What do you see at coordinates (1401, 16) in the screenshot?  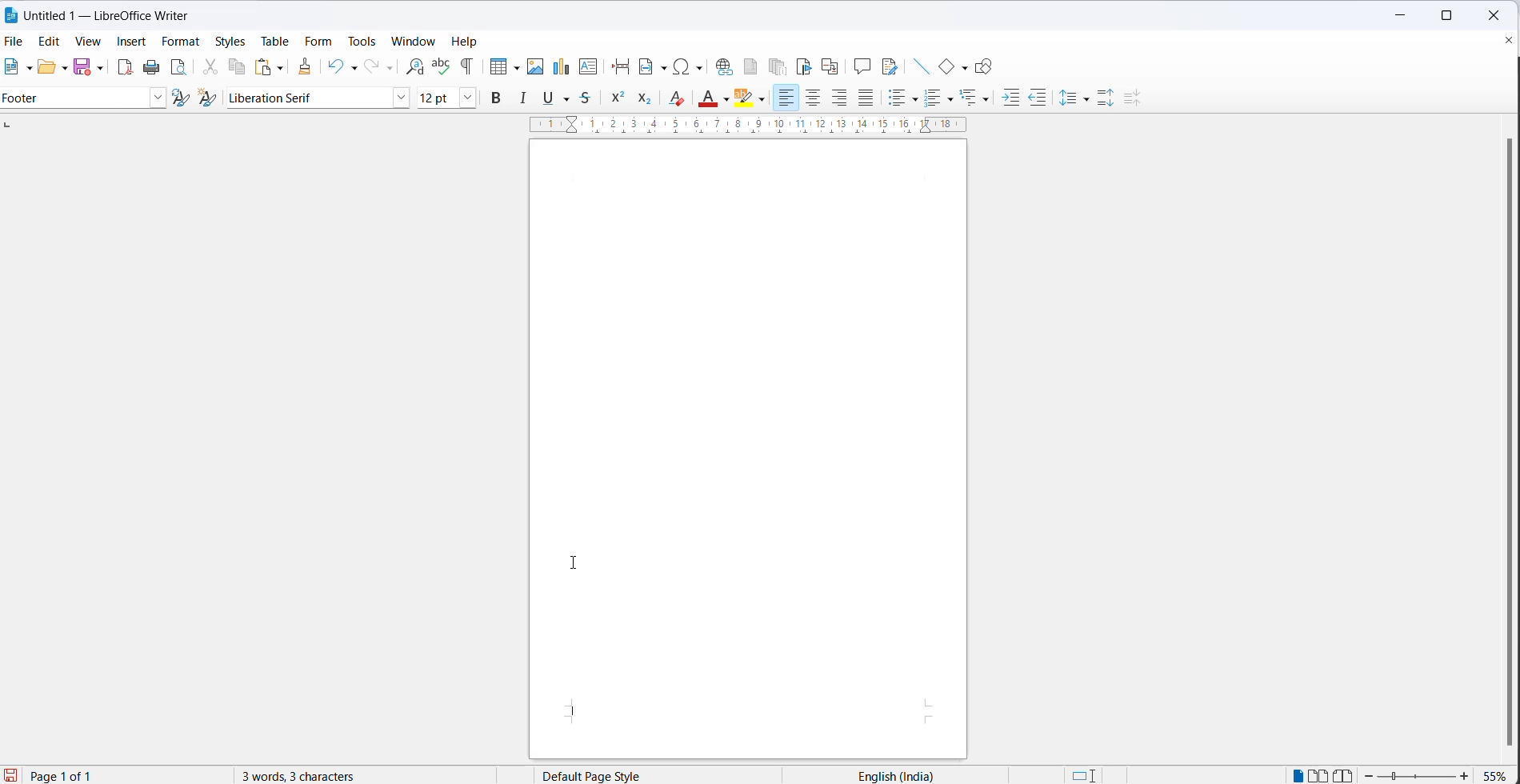 I see `minimize` at bounding box center [1401, 16].